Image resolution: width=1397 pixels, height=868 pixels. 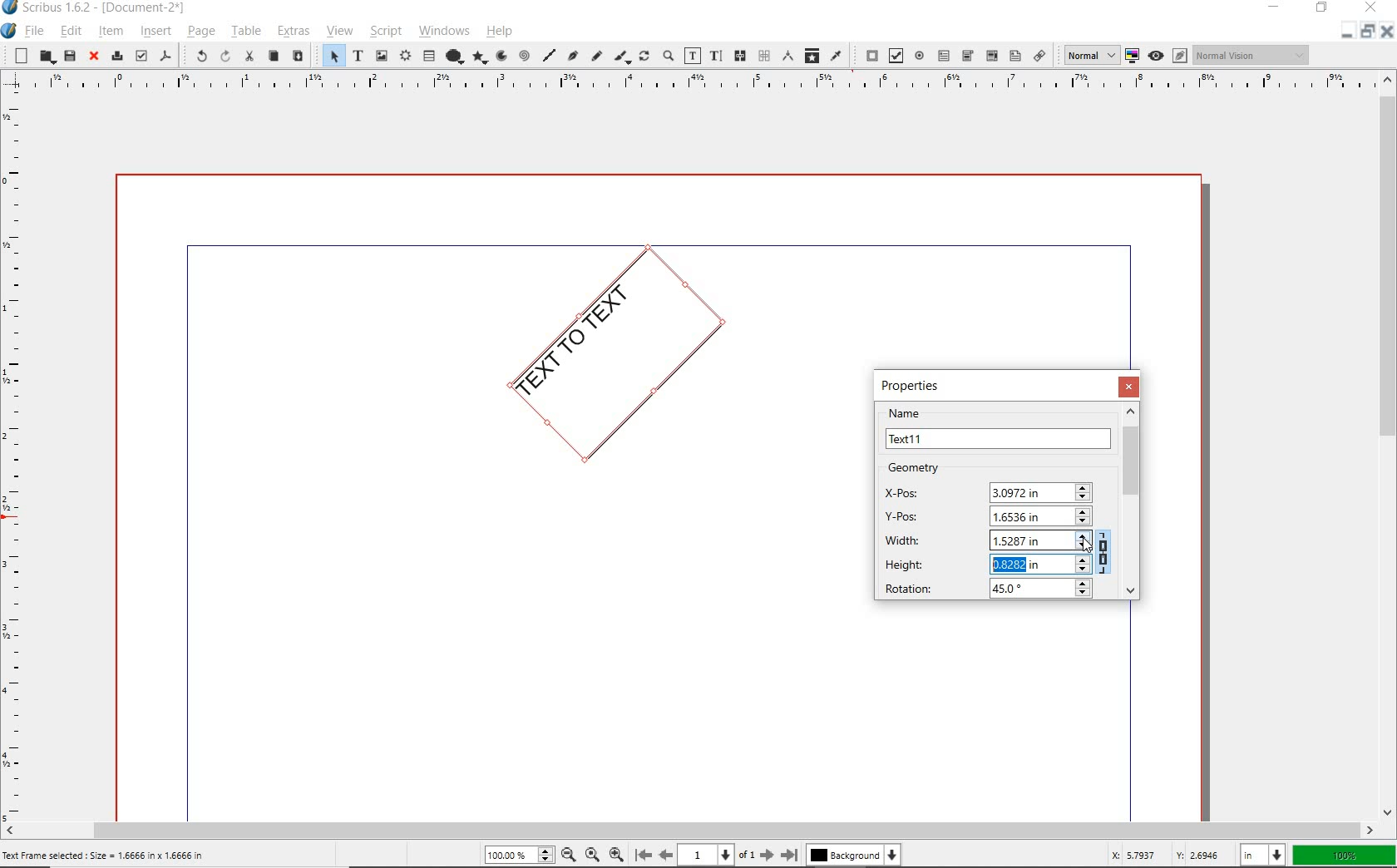 What do you see at coordinates (1106, 550) in the screenshot?
I see `KEEP THE ASPECT RATIO` at bounding box center [1106, 550].